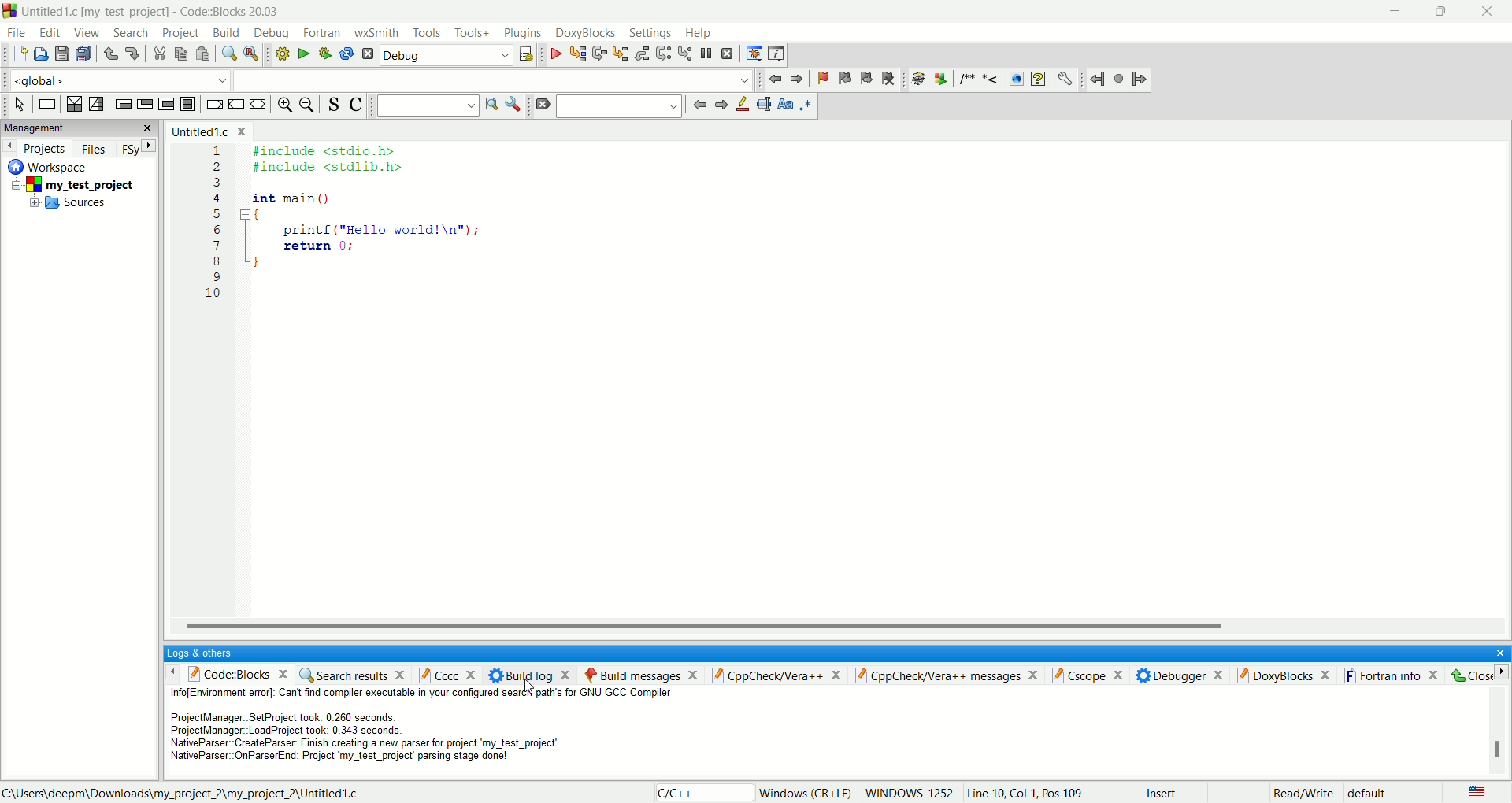 The height and width of the screenshot is (803, 1512). Describe the element at coordinates (180, 793) in the screenshot. I see `location` at that location.